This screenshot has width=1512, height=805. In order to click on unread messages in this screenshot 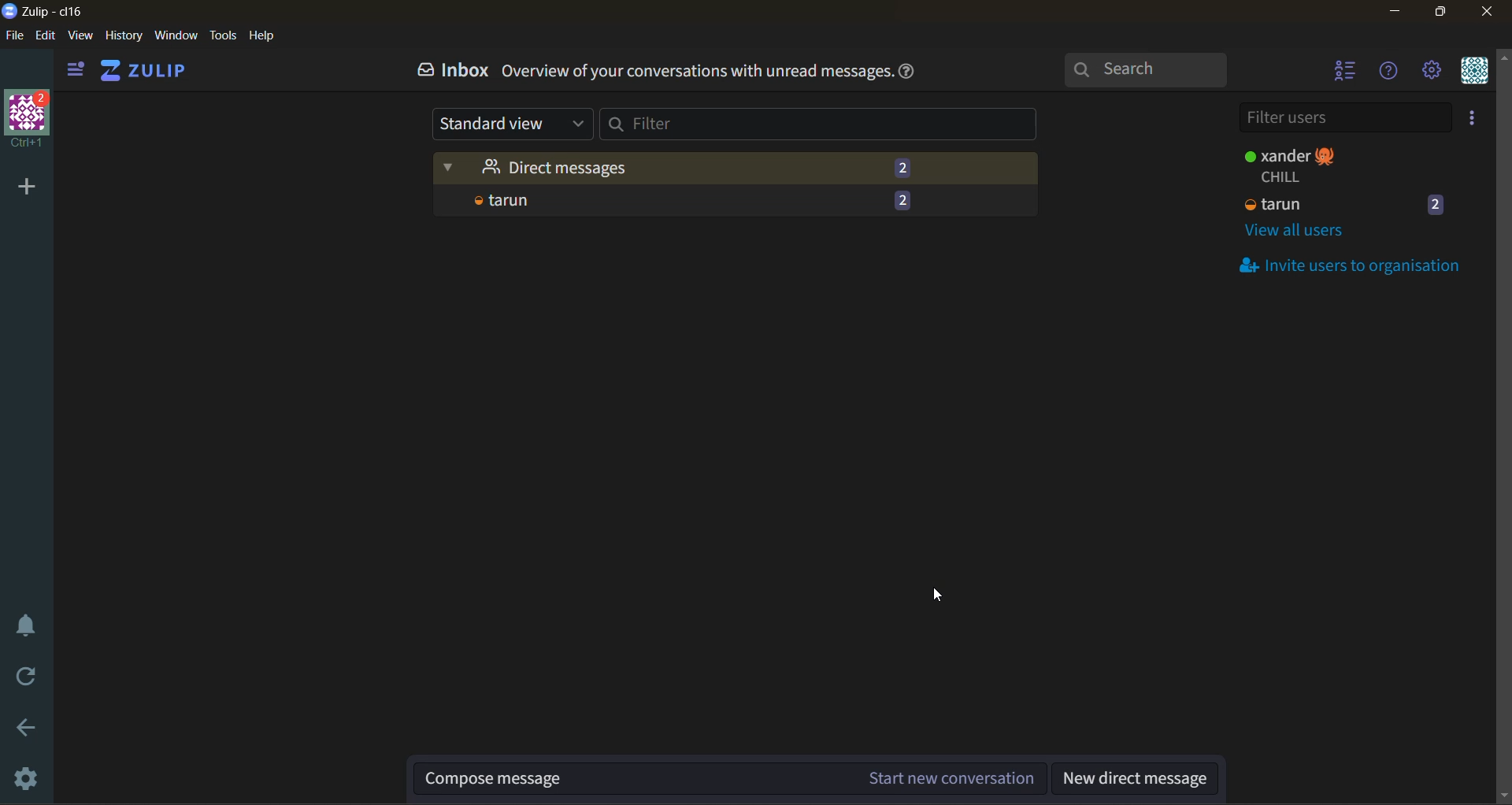, I will do `click(737, 163)`.